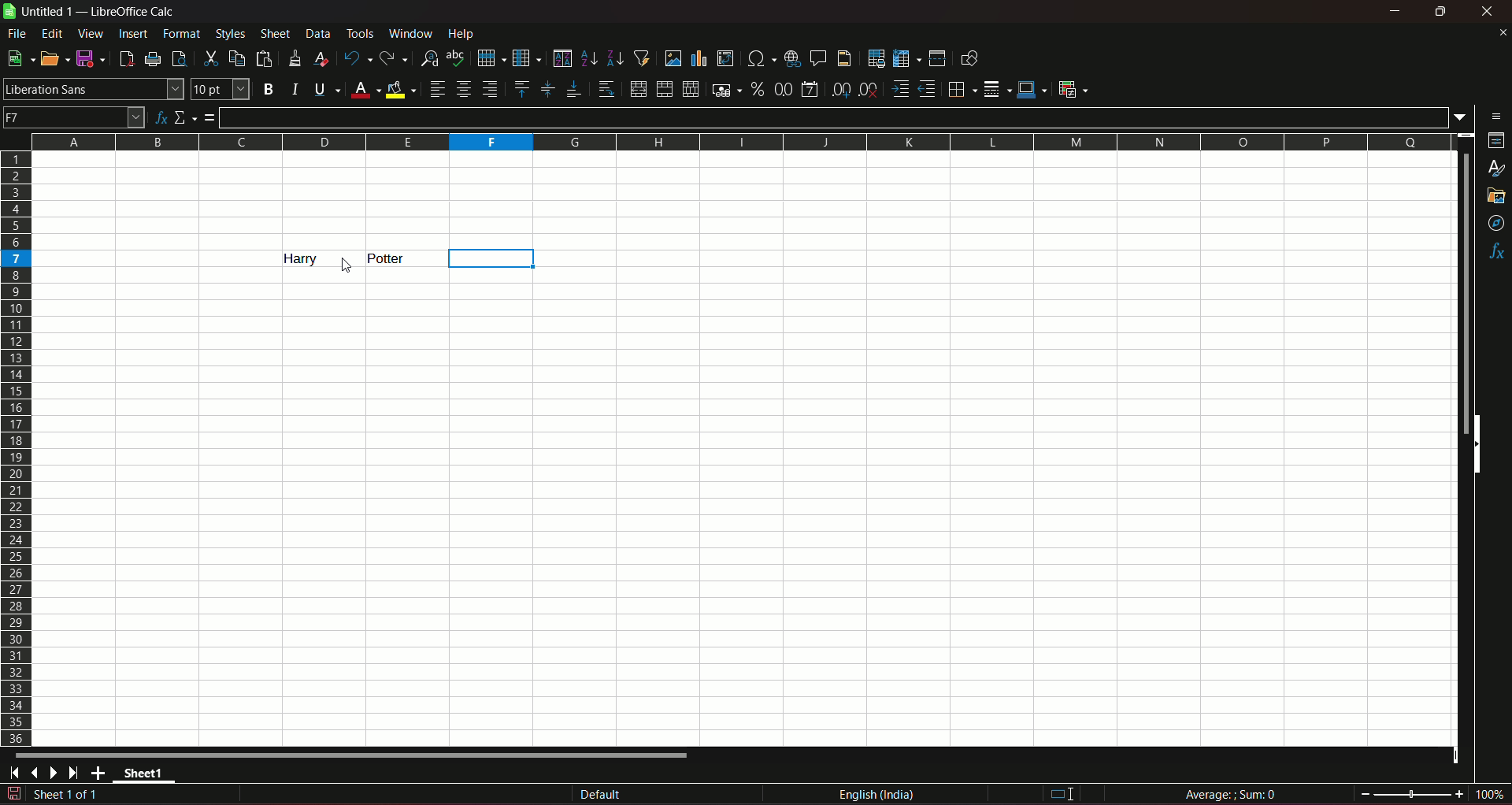 This screenshot has width=1512, height=805. What do you see at coordinates (790, 57) in the screenshot?
I see `insert hyperlink` at bounding box center [790, 57].